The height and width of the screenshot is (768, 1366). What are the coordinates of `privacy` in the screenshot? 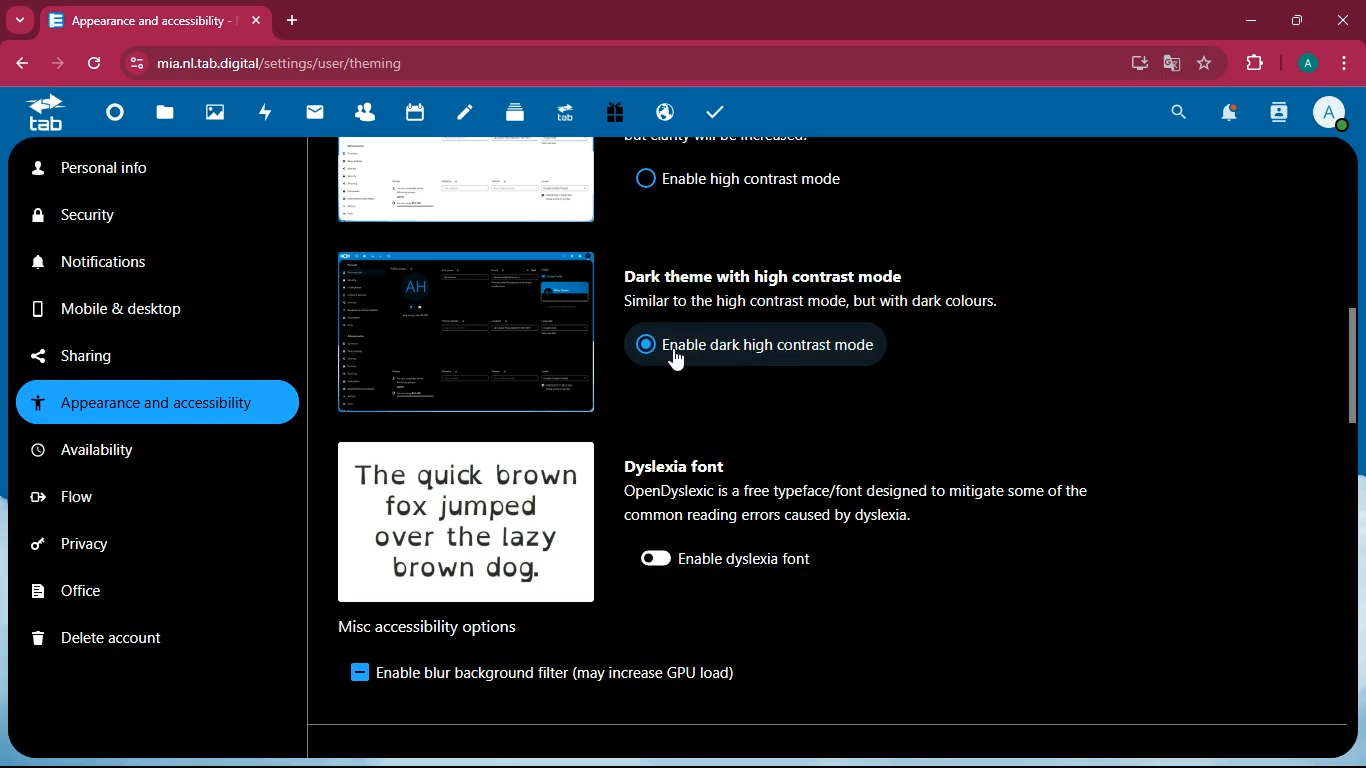 It's located at (110, 543).